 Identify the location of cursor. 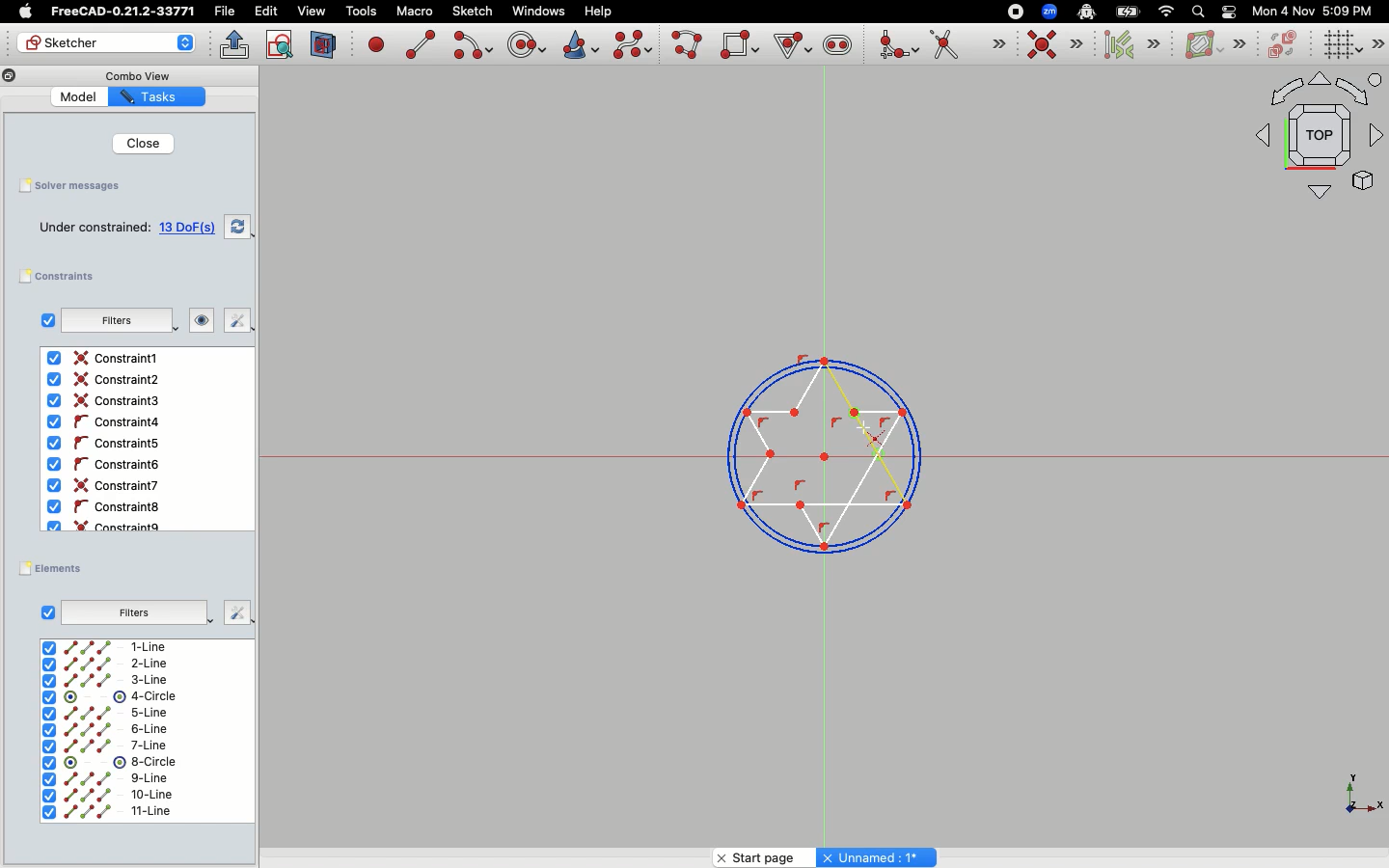
(867, 428).